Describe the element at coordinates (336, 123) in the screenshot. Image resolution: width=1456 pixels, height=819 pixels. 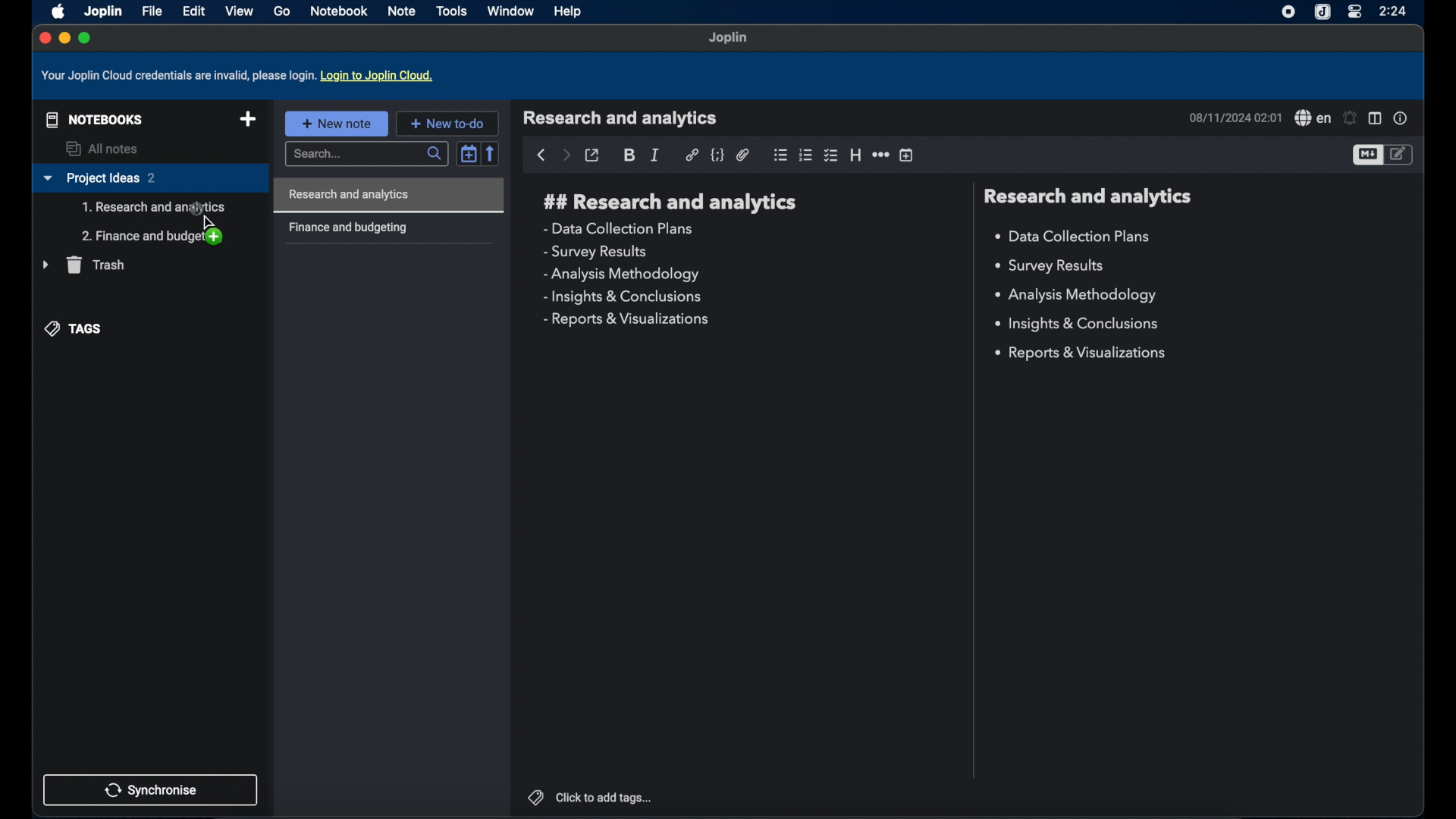
I see `new note` at that location.